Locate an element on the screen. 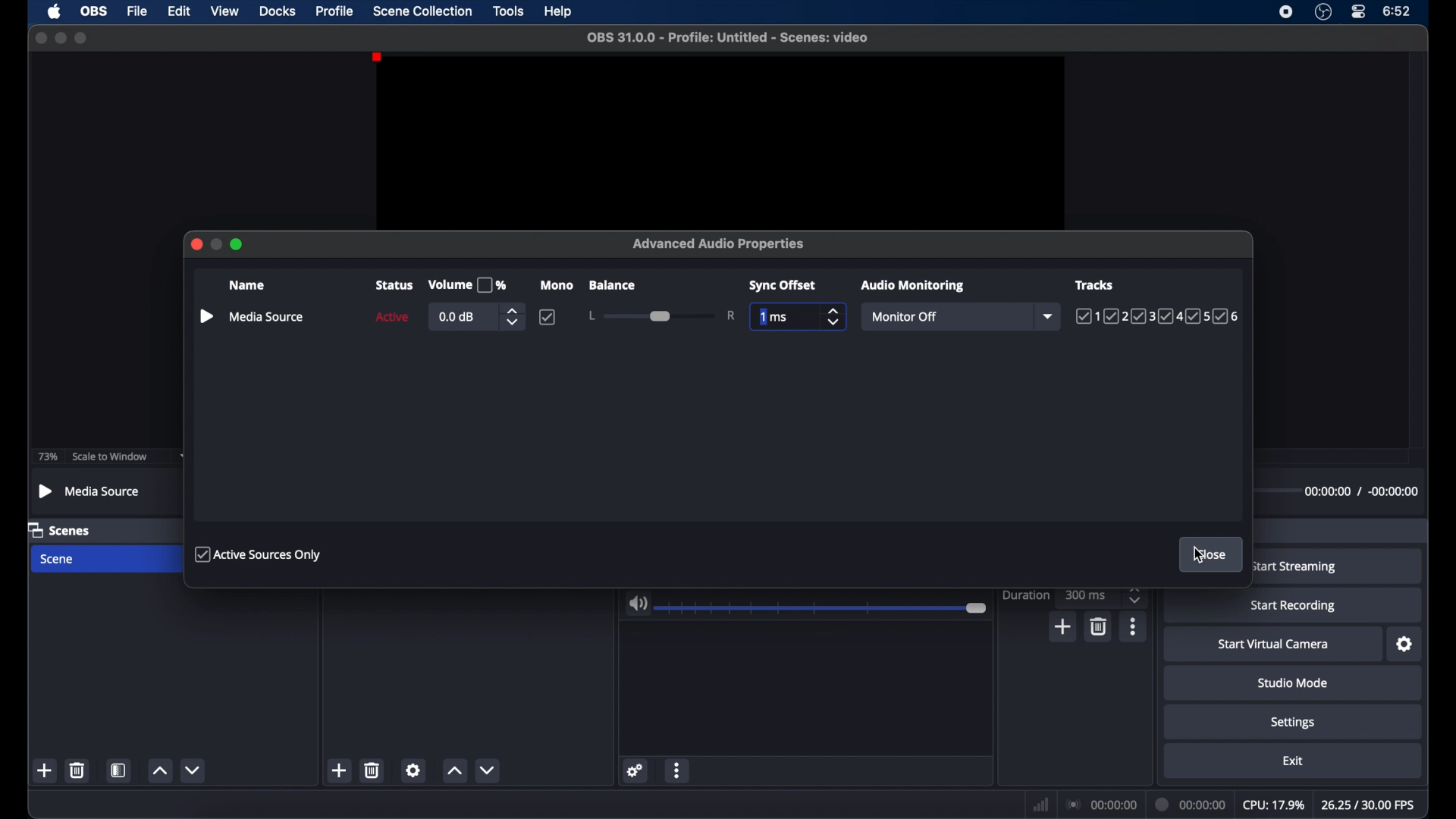  close is located at coordinates (195, 244).